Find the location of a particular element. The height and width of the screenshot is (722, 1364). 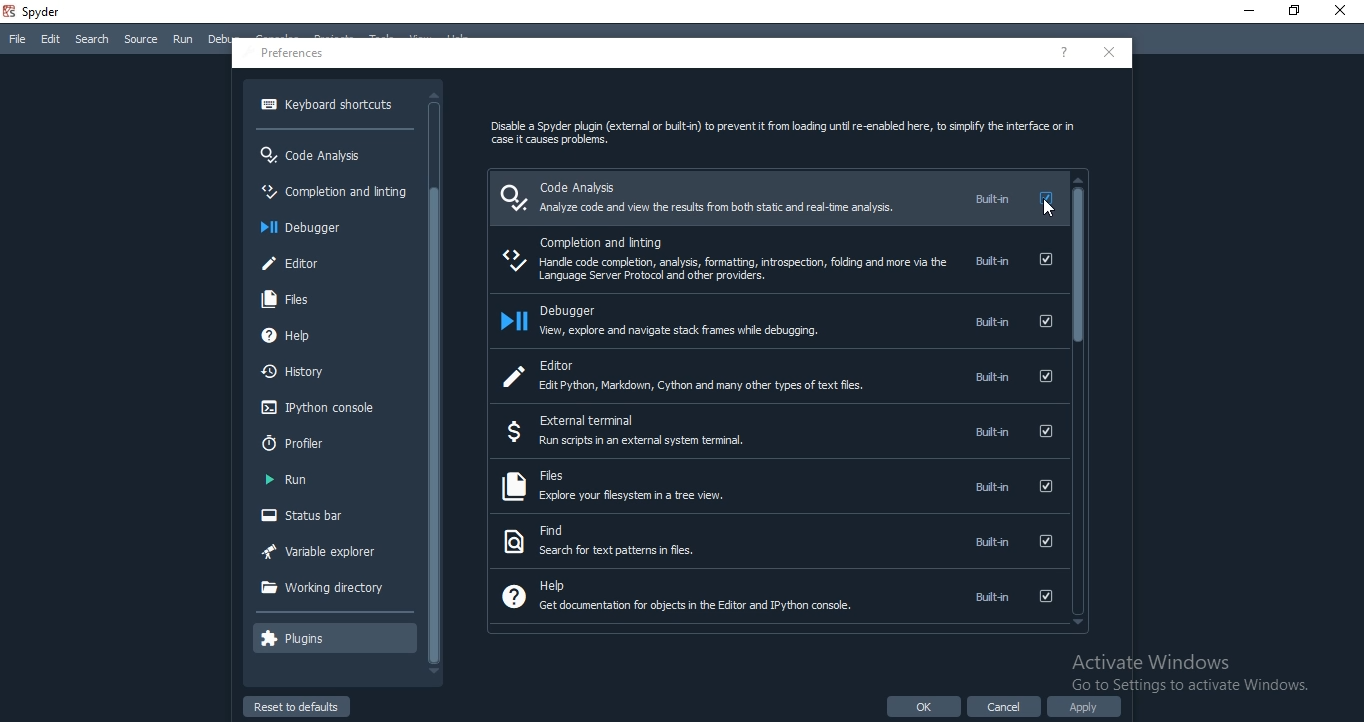

scroll bar is located at coordinates (434, 377).